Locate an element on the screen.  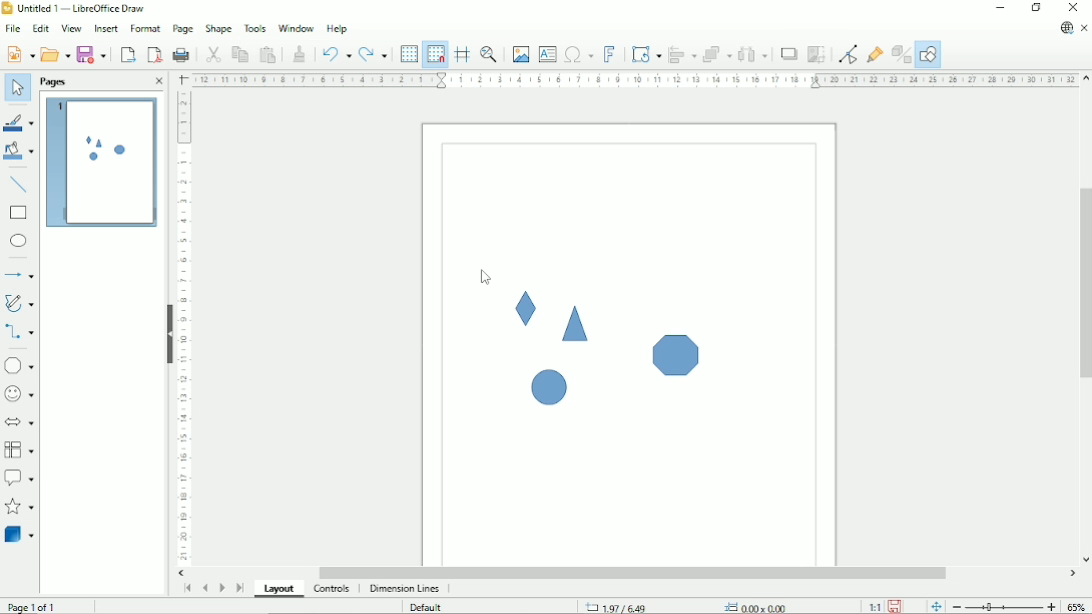
File is located at coordinates (12, 28).